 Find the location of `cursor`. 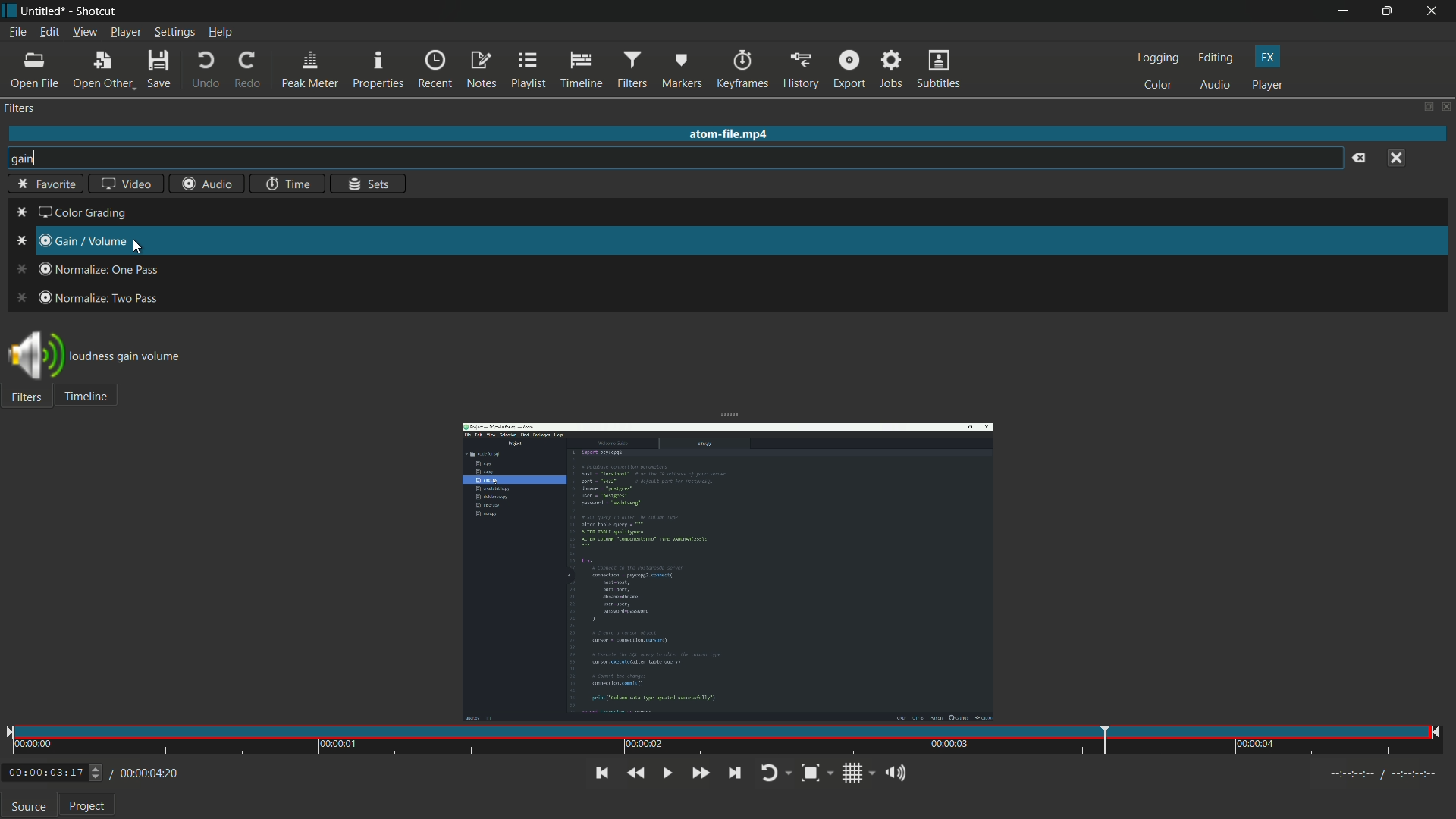

cursor is located at coordinates (137, 246).